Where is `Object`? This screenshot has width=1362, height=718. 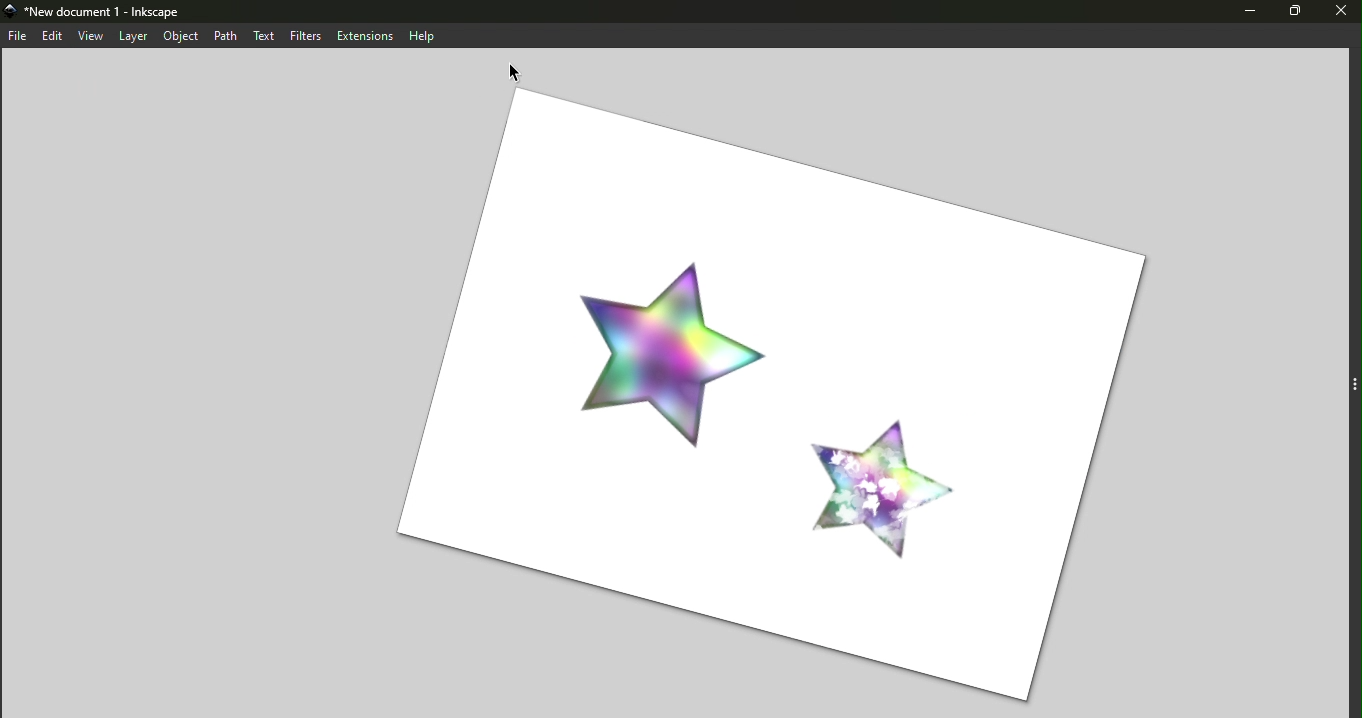 Object is located at coordinates (177, 35).